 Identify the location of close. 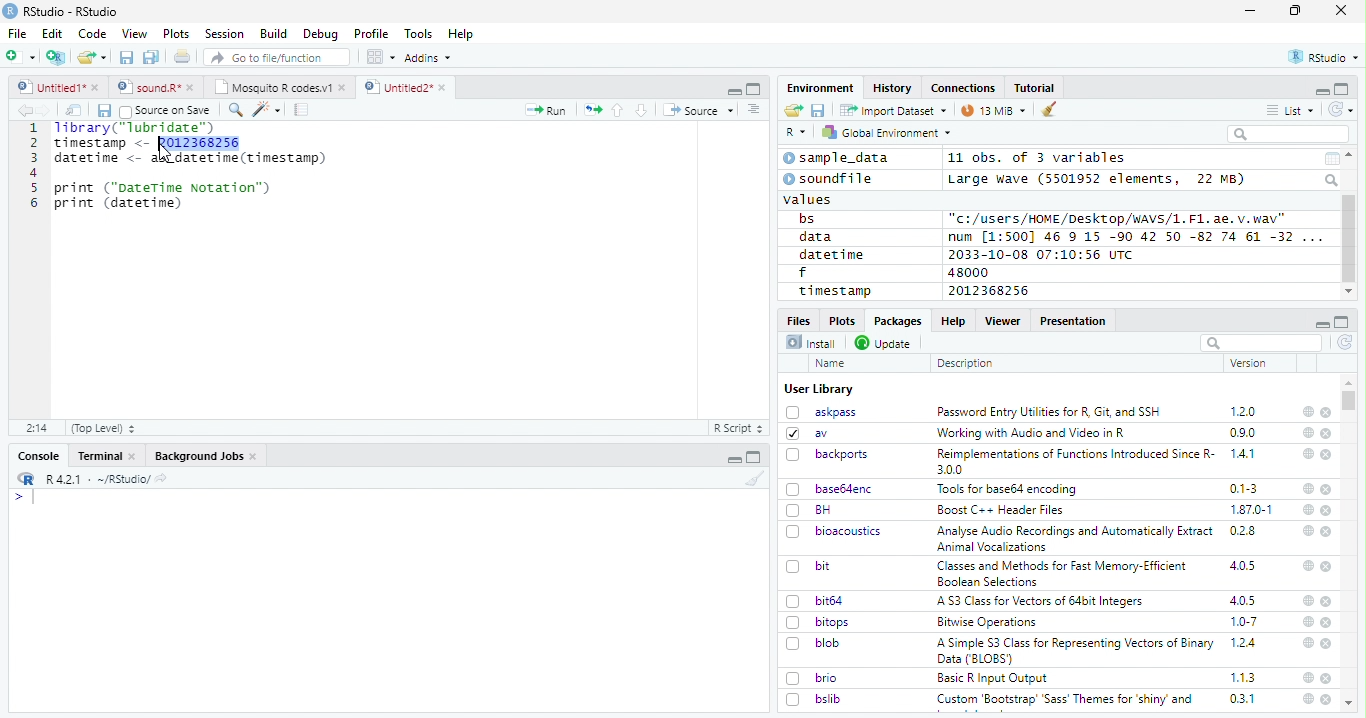
(1341, 9).